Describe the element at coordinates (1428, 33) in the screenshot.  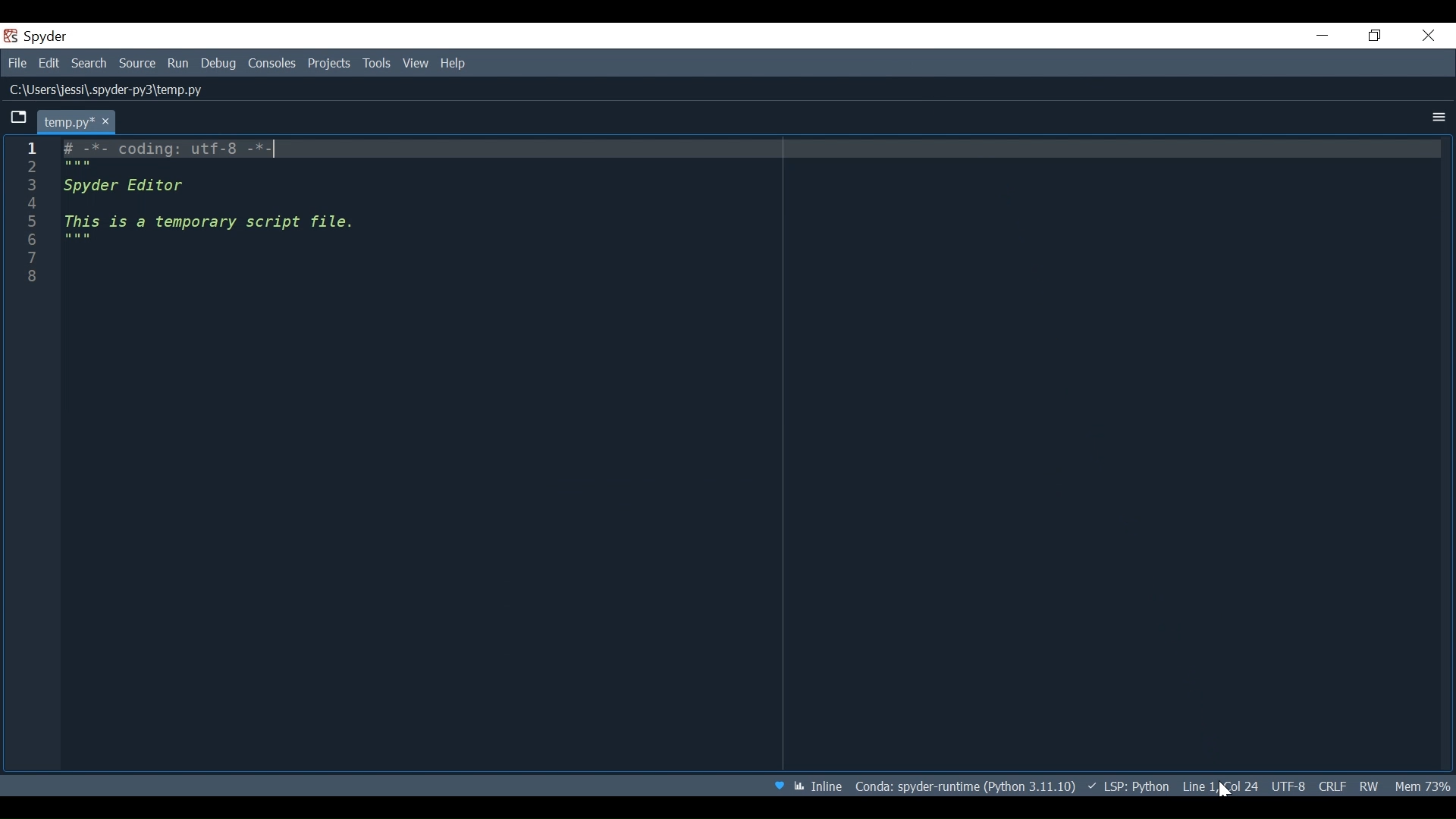
I see `Close` at that location.